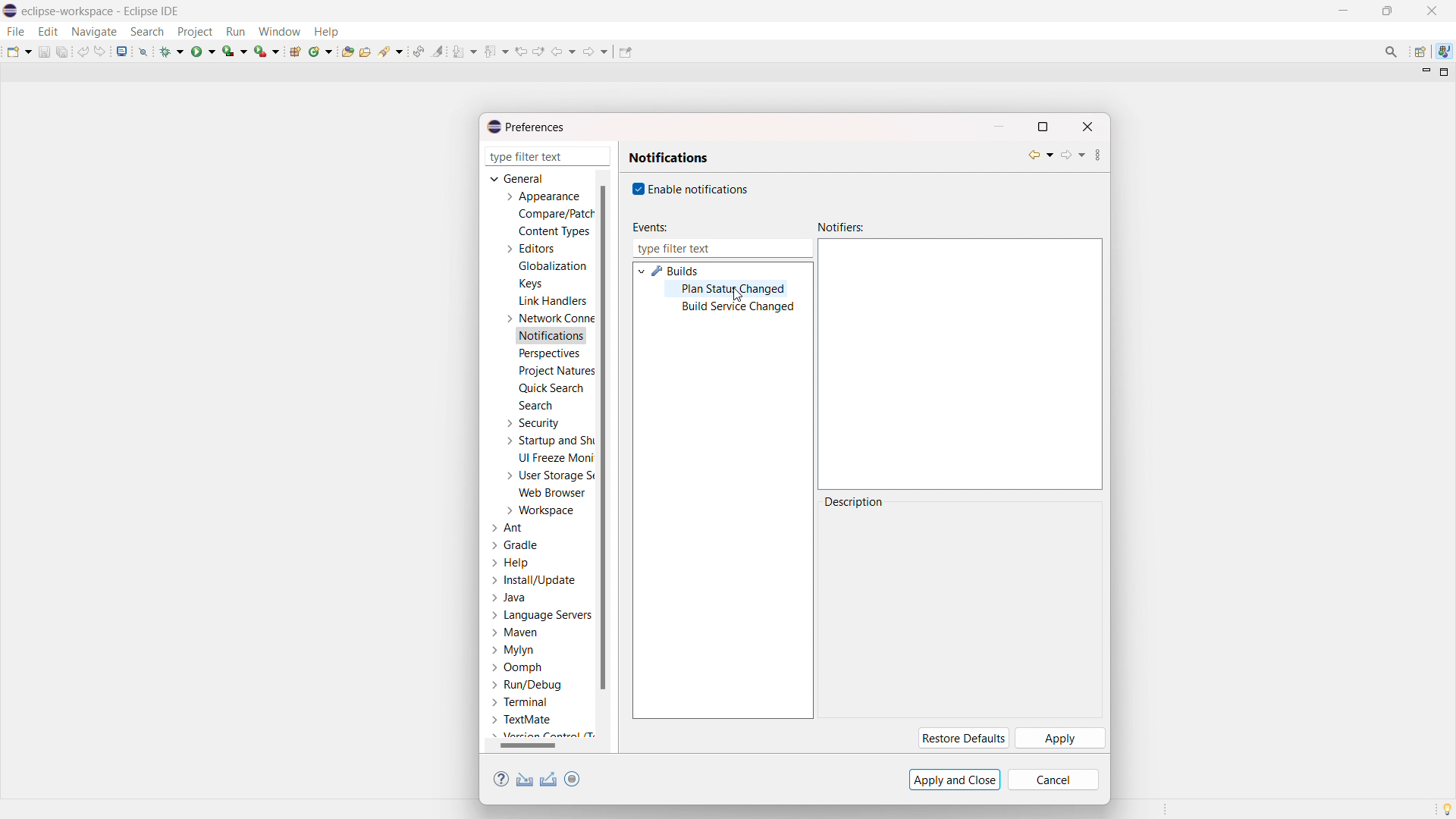  What do you see at coordinates (738, 308) in the screenshot?
I see `build service changed` at bounding box center [738, 308].